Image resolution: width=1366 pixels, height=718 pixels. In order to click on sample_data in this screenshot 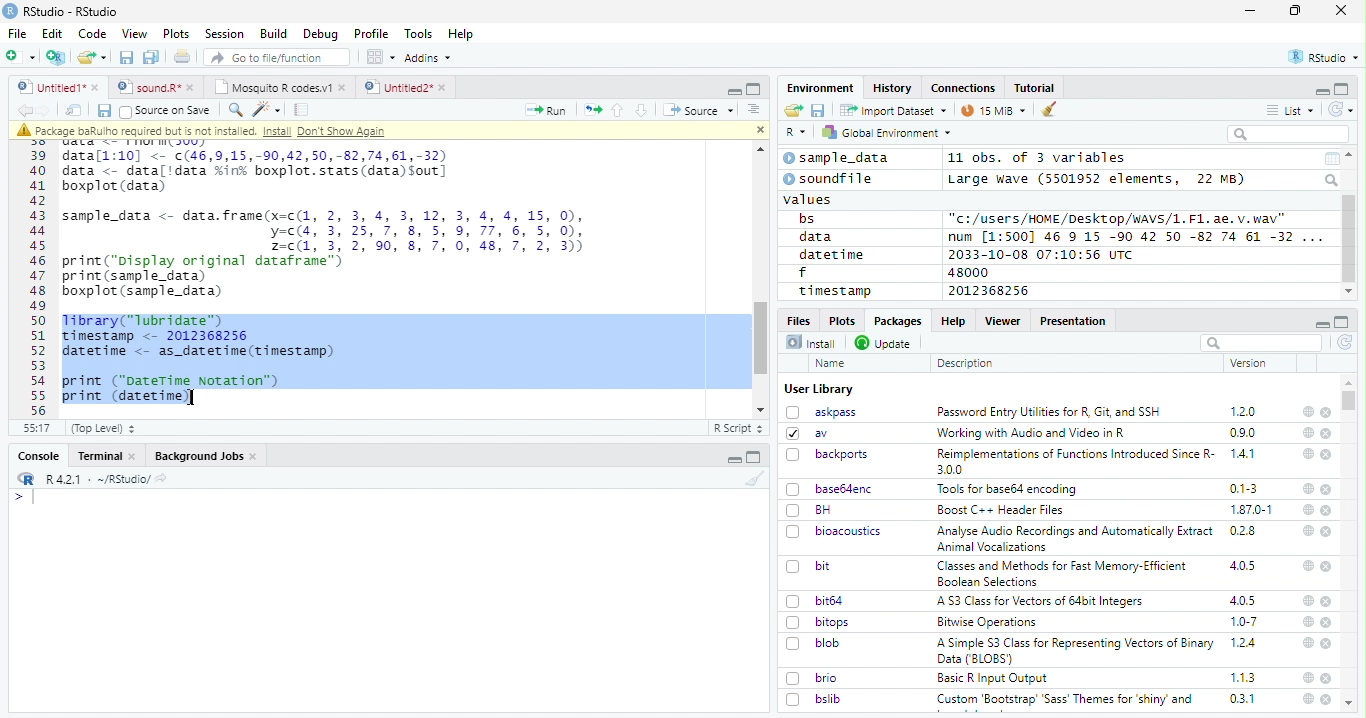, I will do `click(839, 158)`.